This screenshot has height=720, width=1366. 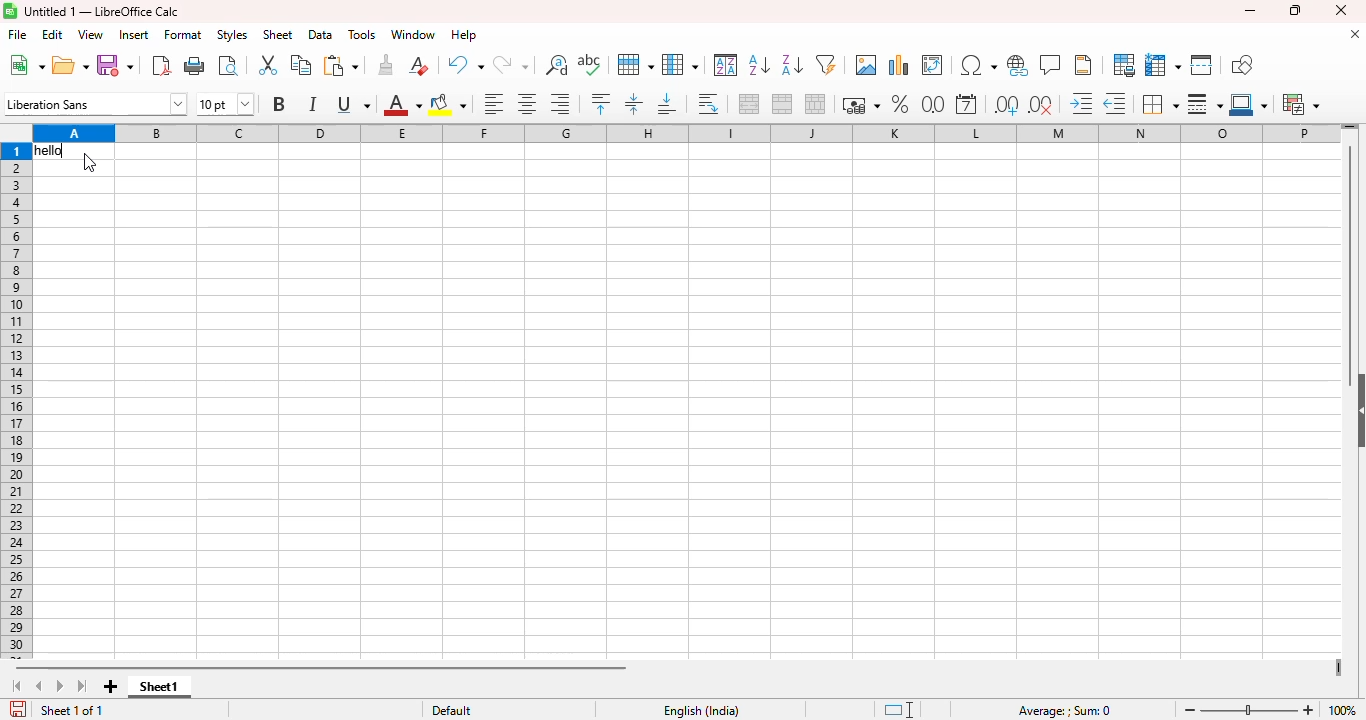 What do you see at coordinates (1159, 104) in the screenshot?
I see `borders` at bounding box center [1159, 104].